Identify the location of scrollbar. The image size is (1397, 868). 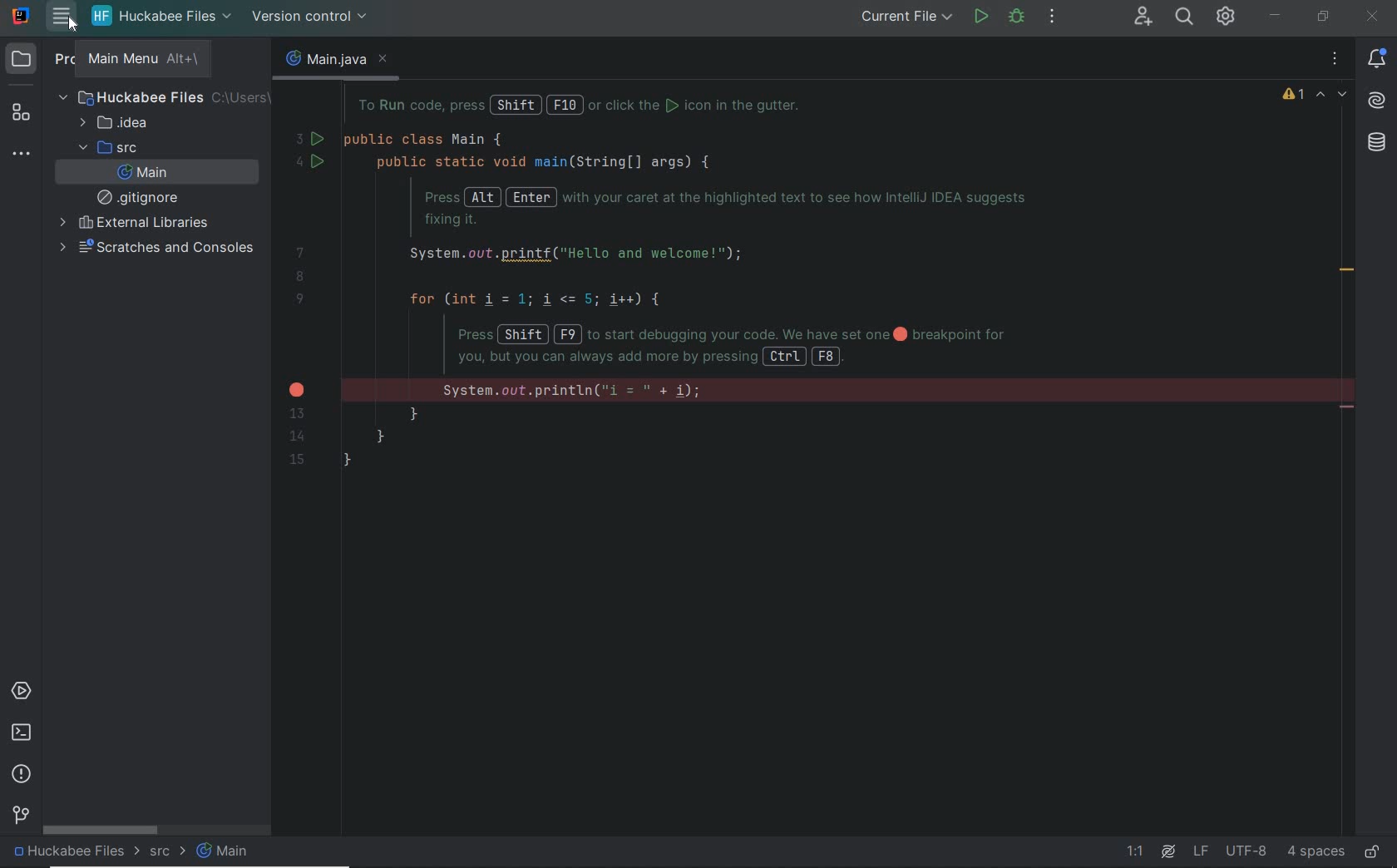
(101, 831).